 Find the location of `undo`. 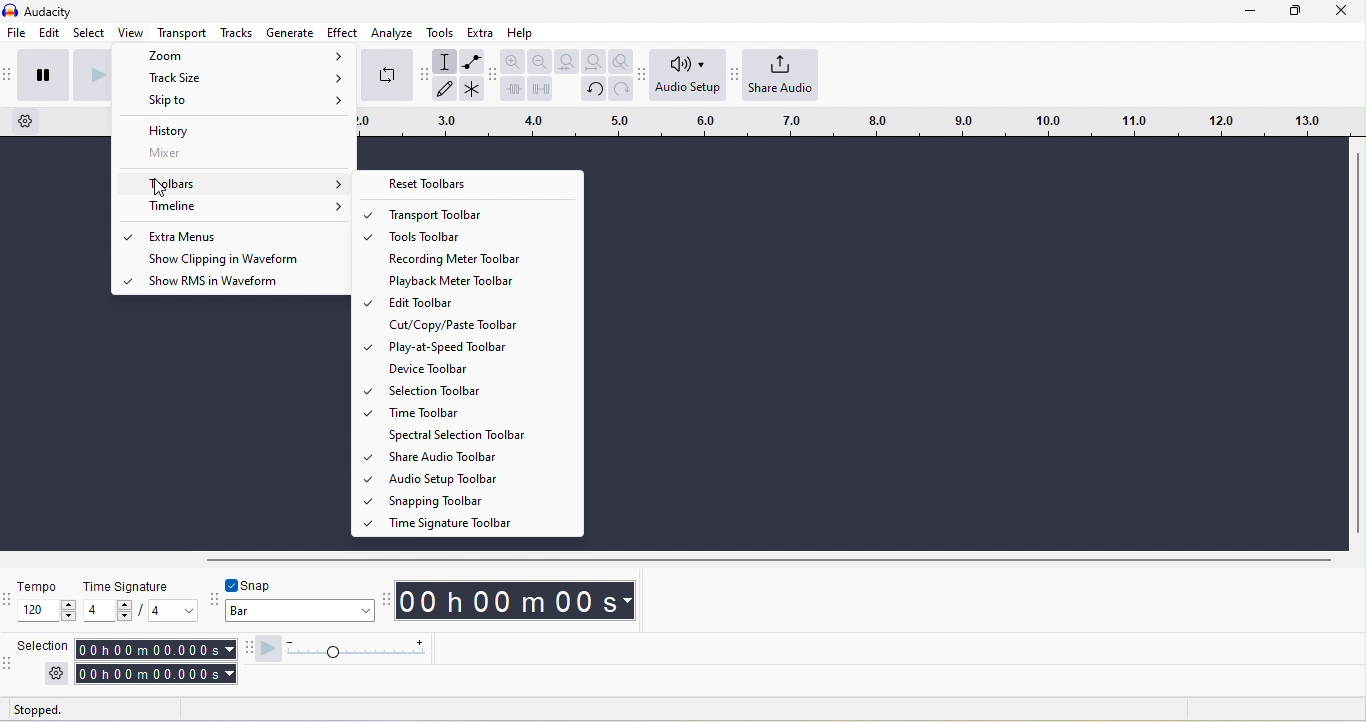

undo is located at coordinates (594, 90).